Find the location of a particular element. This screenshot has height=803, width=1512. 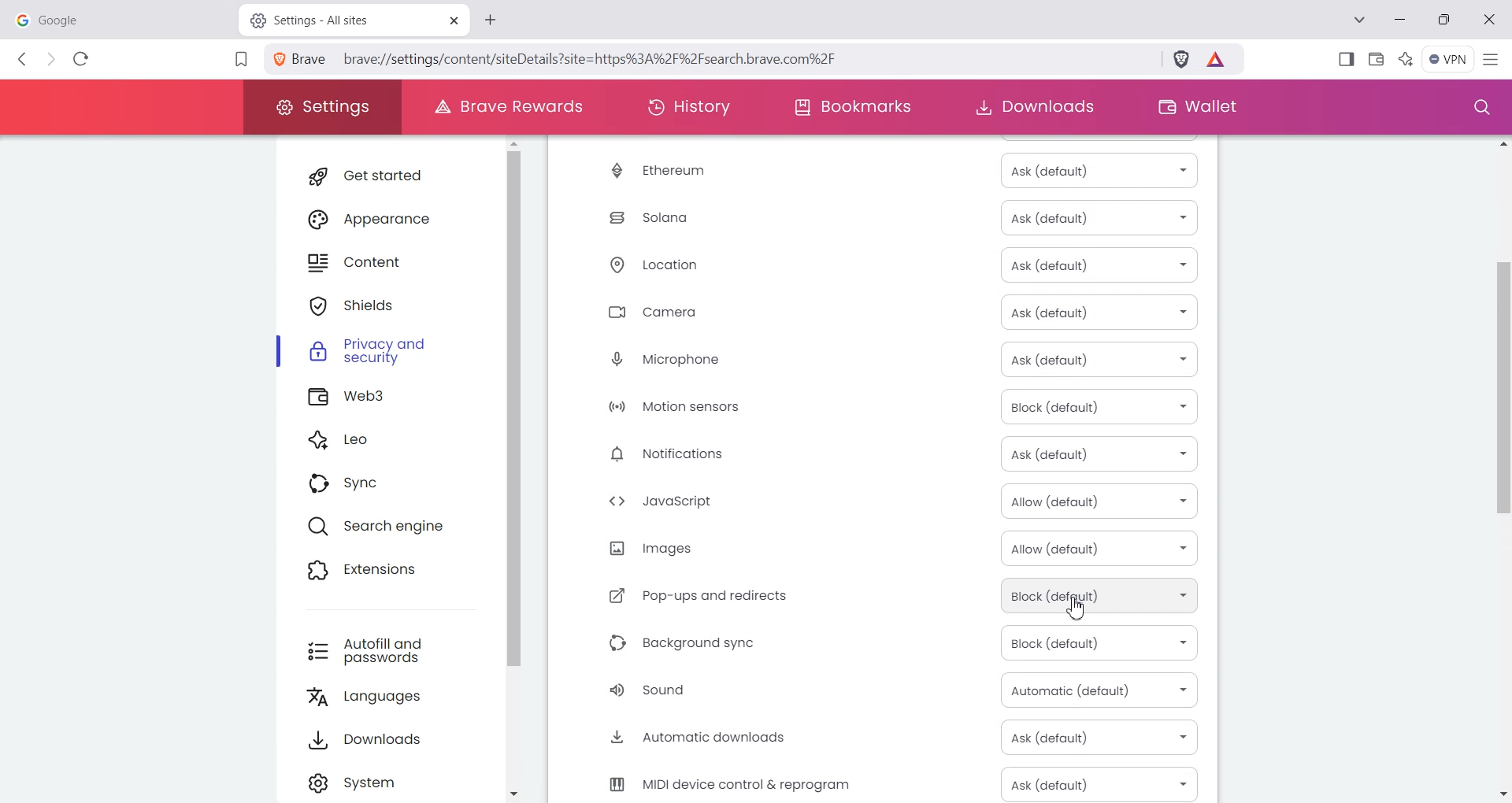

MIDI device control & reprogram Ask (Default) is located at coordinates (886, 783).